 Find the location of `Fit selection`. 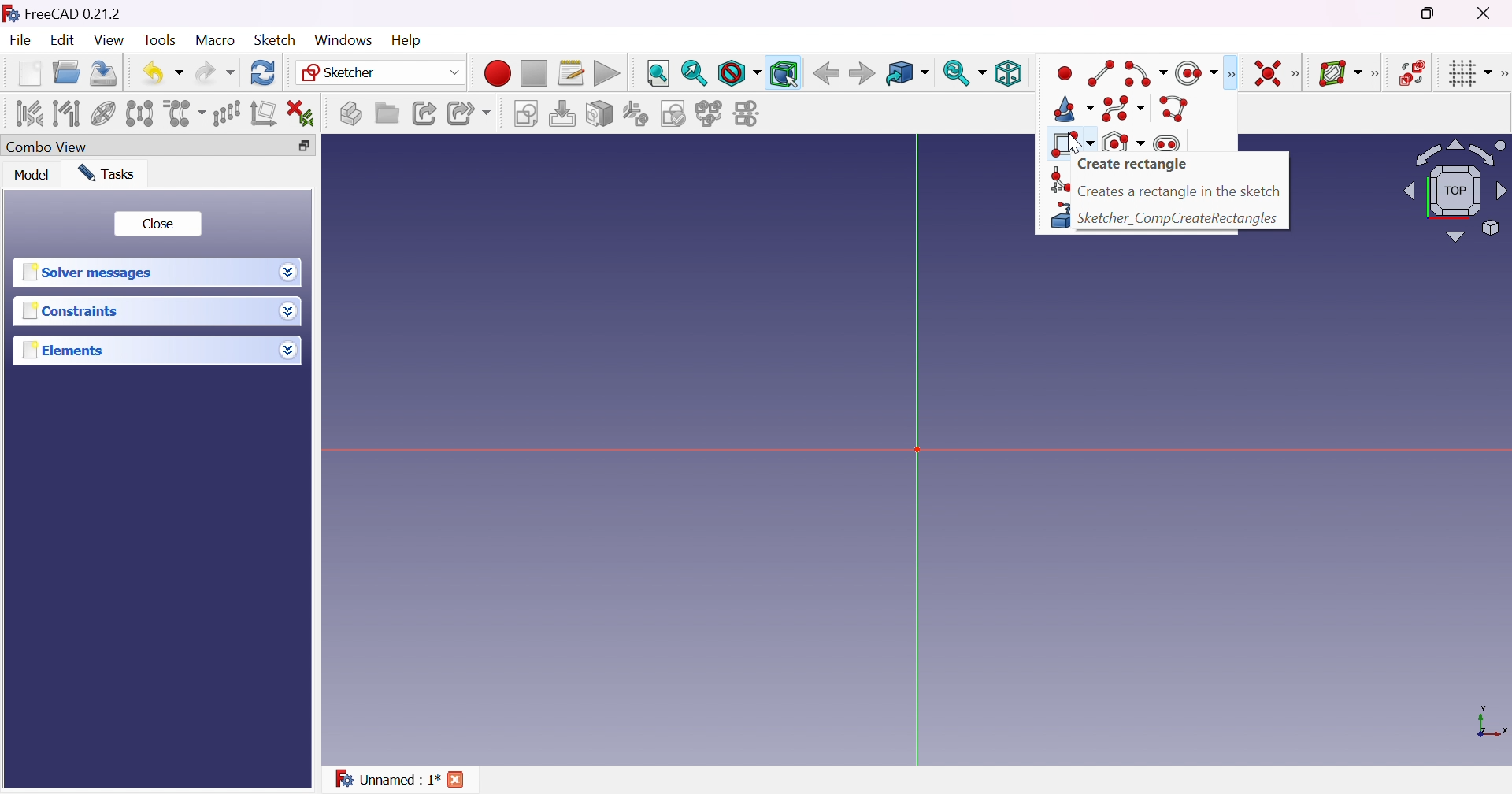

Fit selection is located at coordinates (694, 73).